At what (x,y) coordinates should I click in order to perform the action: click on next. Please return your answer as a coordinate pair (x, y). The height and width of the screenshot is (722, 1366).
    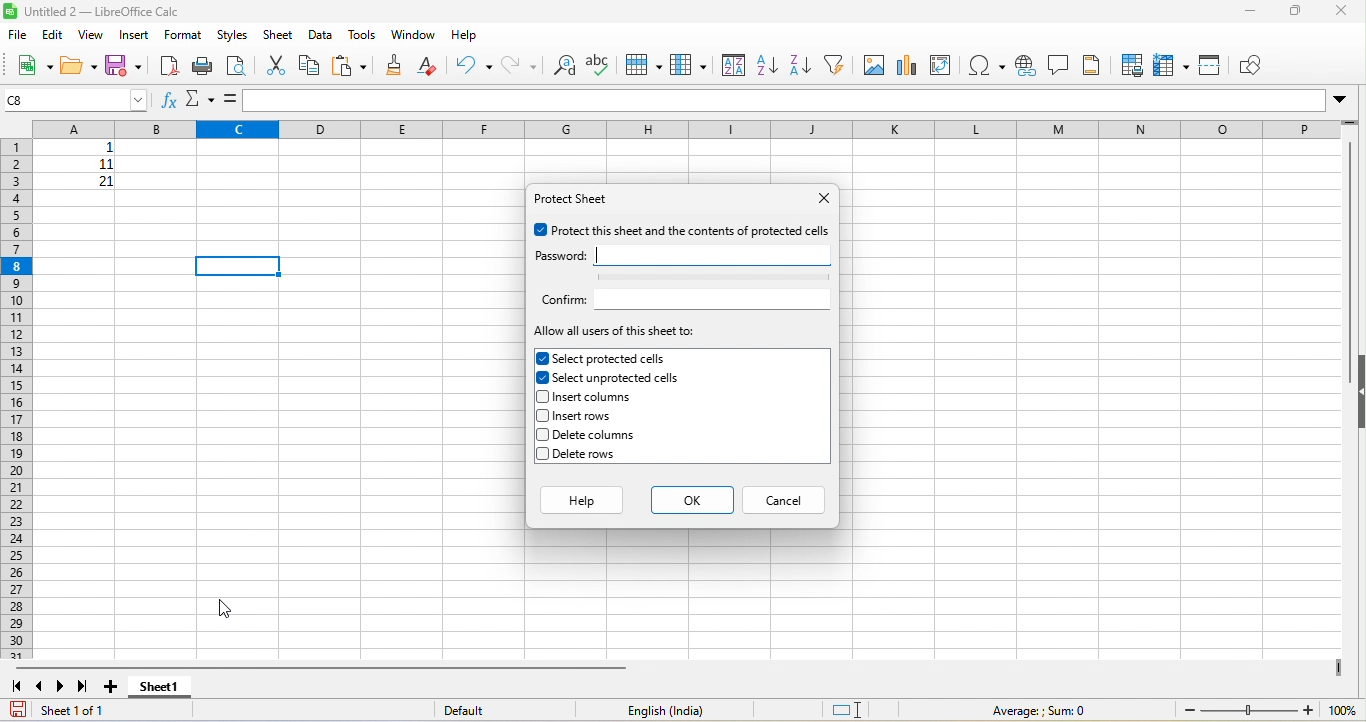
    Looking at the image, I should click on (62, 686).